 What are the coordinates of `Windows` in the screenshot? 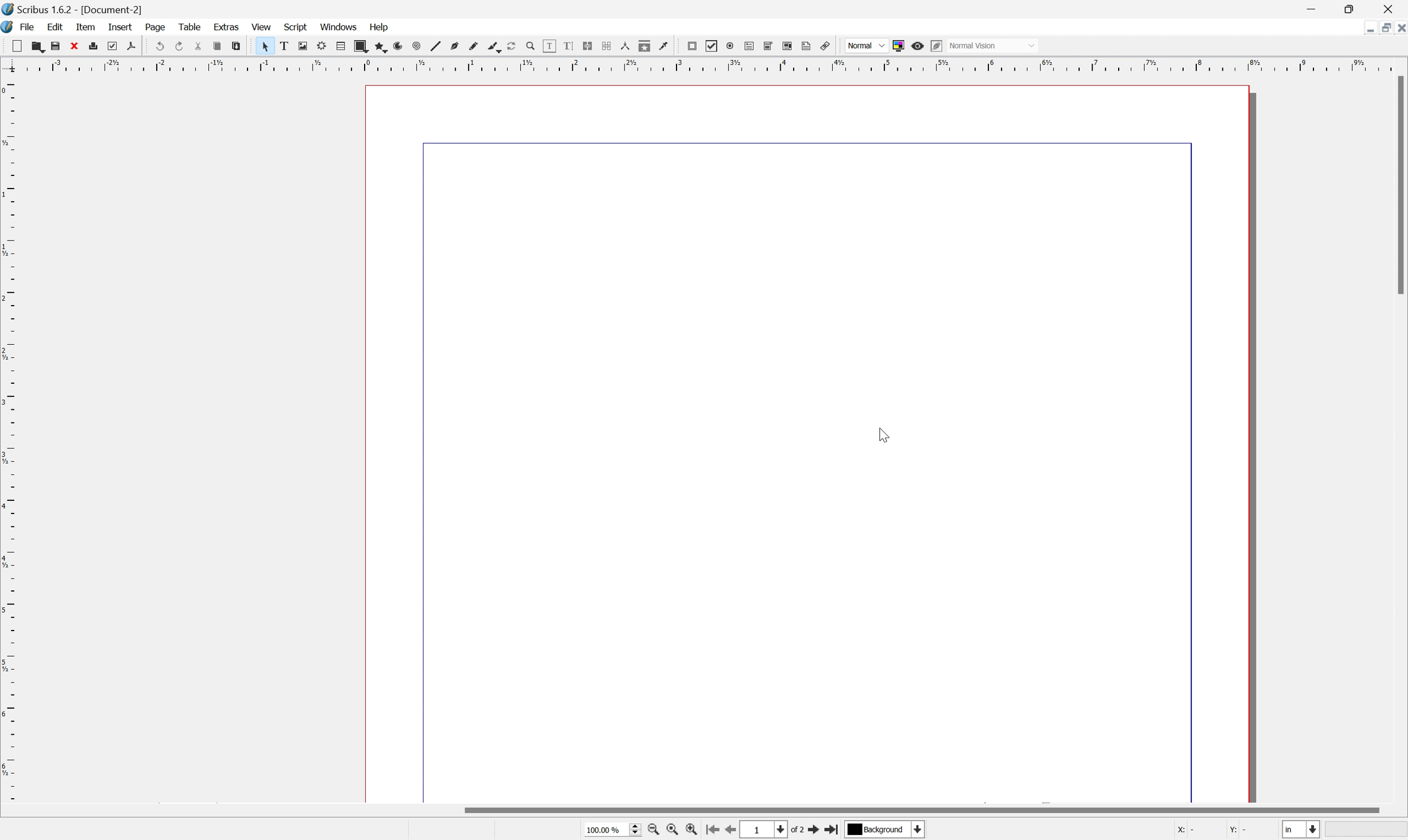 It's located at (339, 28).